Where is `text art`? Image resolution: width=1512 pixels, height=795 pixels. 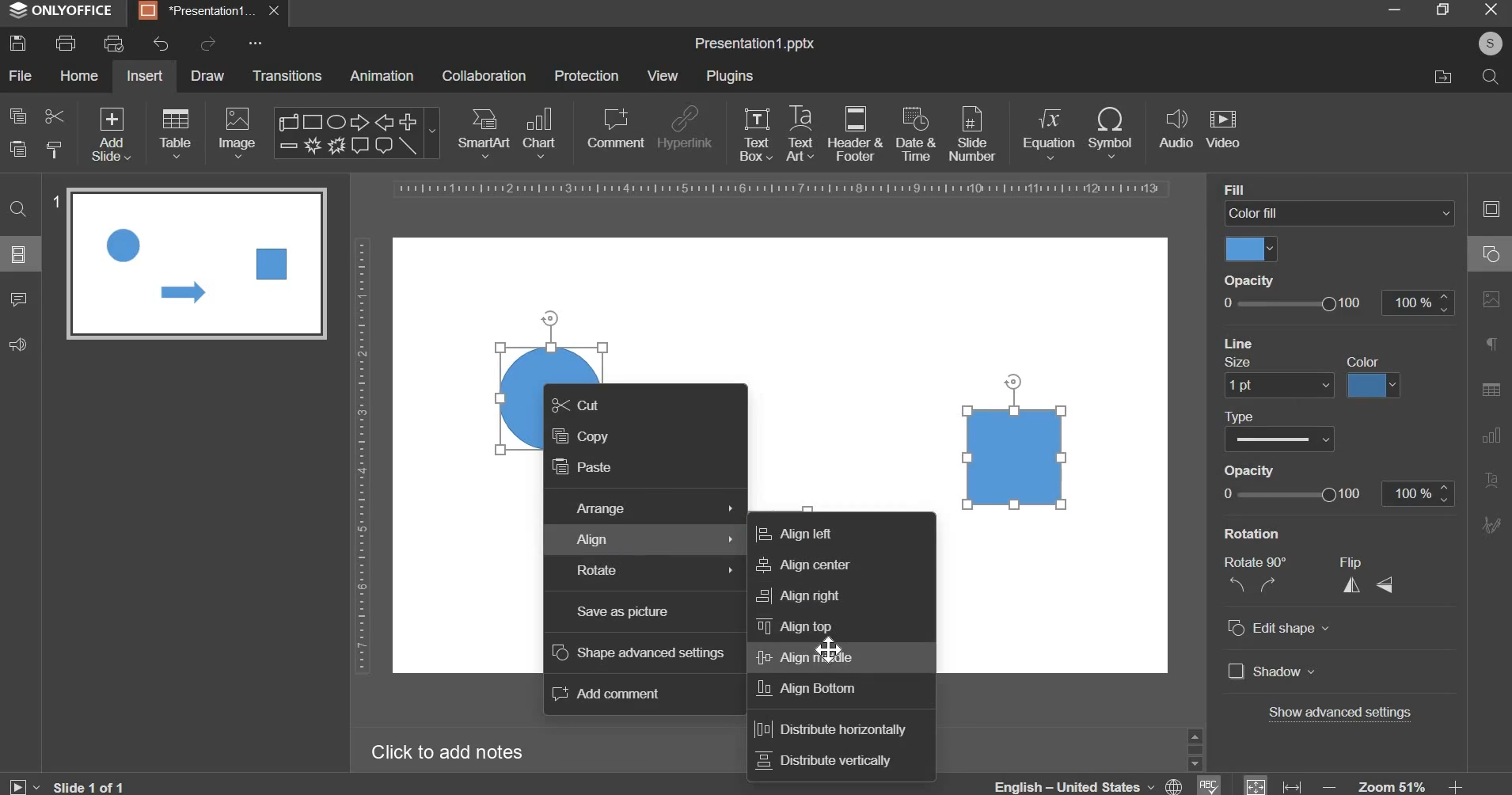 text art is located at coordinates (800, 133).